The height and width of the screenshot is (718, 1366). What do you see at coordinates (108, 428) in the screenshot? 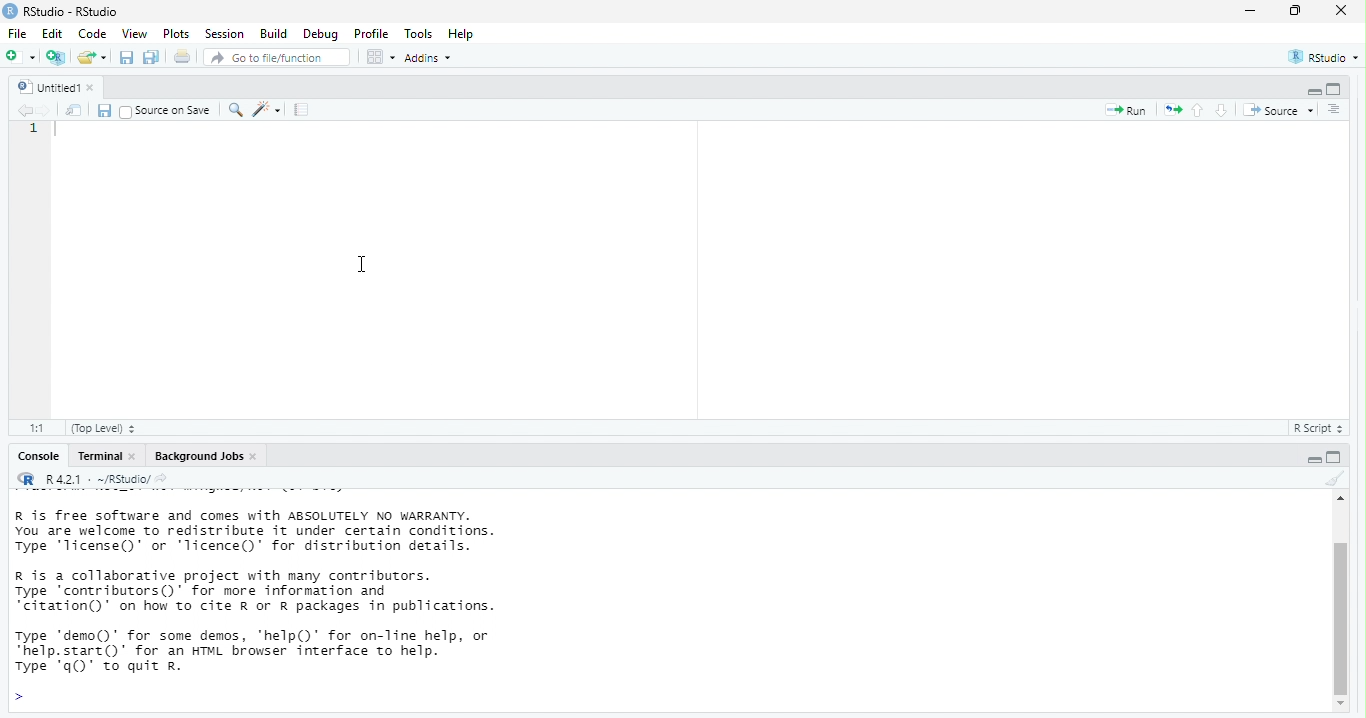
I see `(Top level)` at bounding box center [108, 428].